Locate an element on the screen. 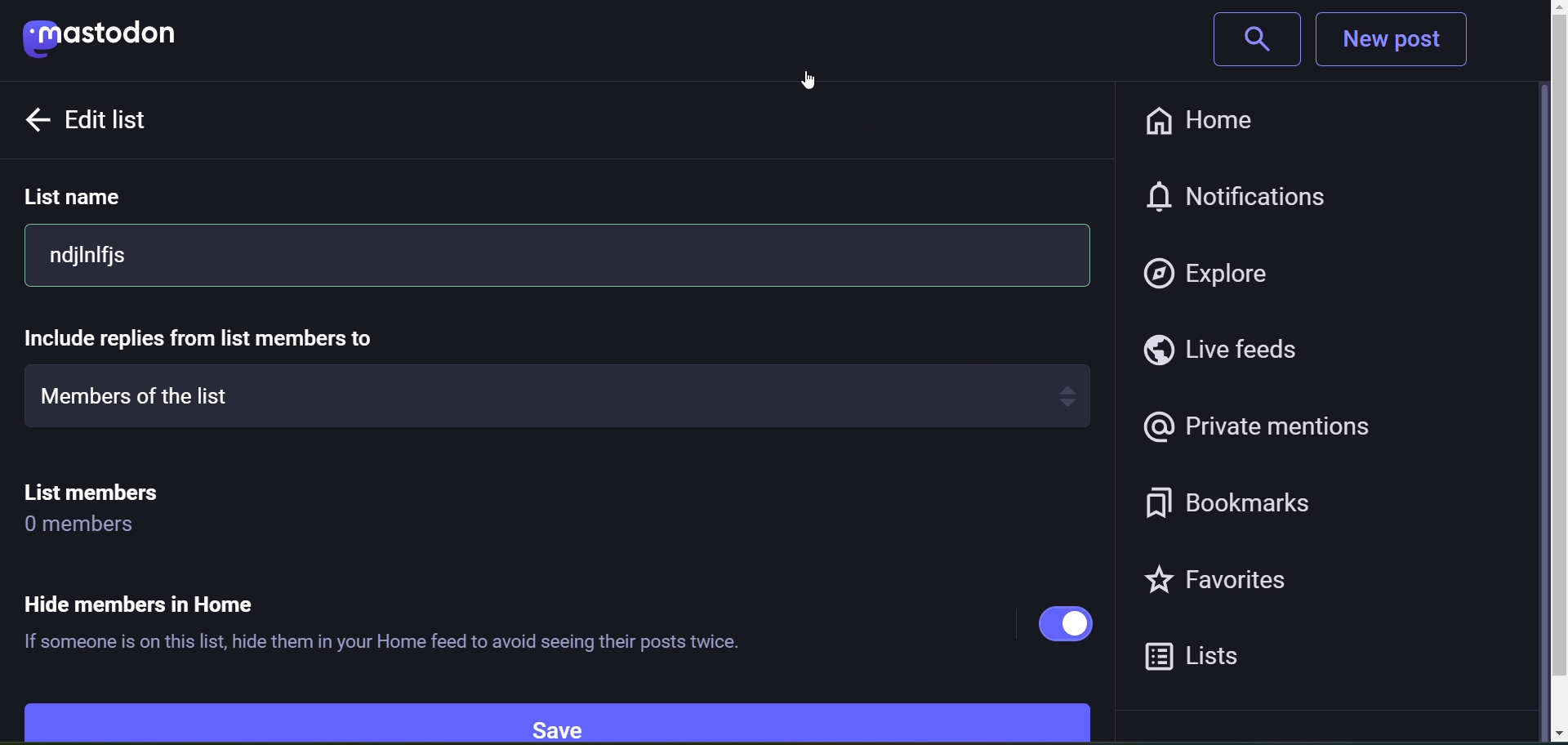 The height and width of the screenshot is (745, 1568). edit list is located at coordinates (128, 121).